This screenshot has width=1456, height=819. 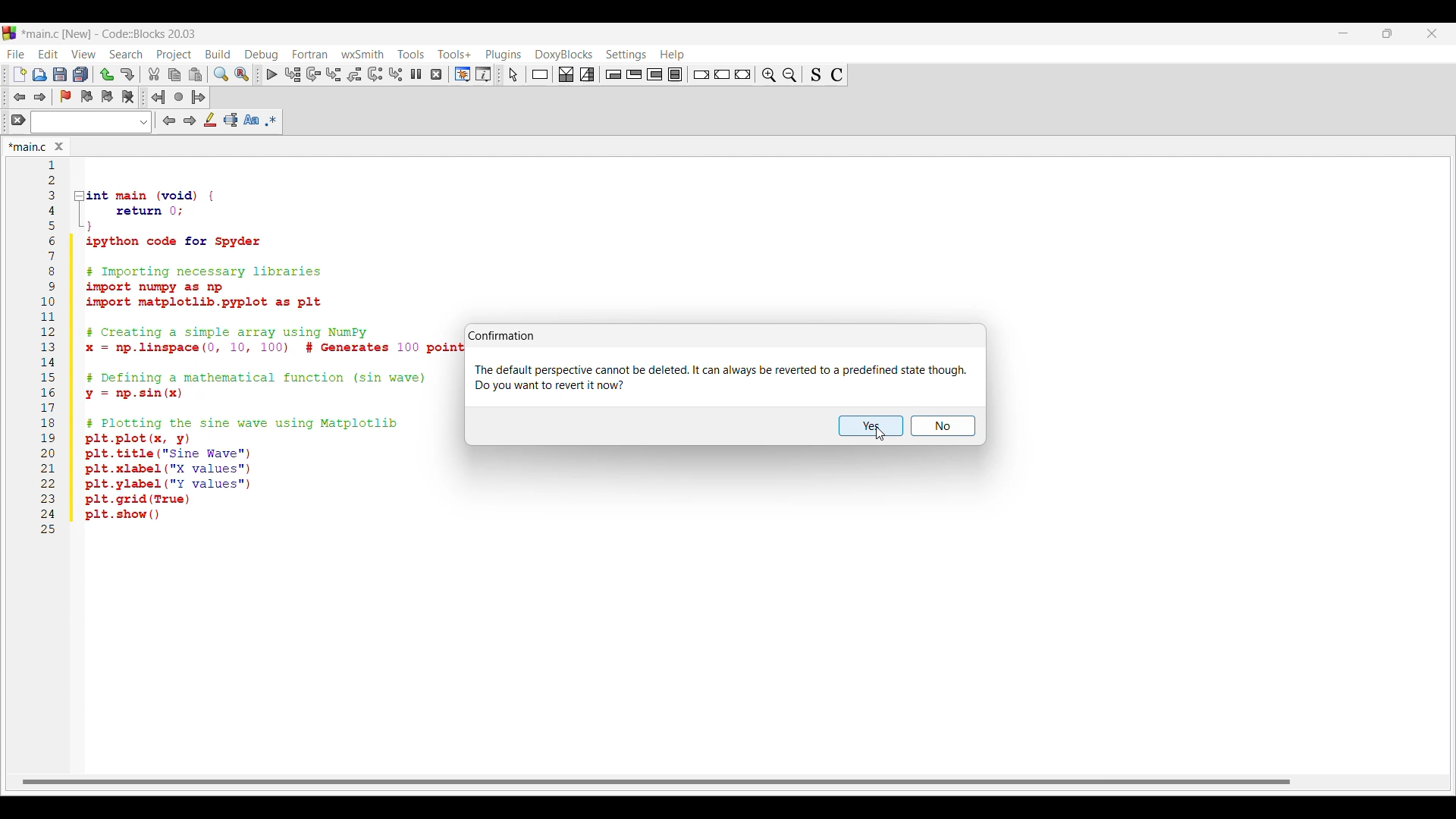 What do you see at coordinates (81, 74) in the screenshot?
I see `Save everything` at bounding box center [81, 74].